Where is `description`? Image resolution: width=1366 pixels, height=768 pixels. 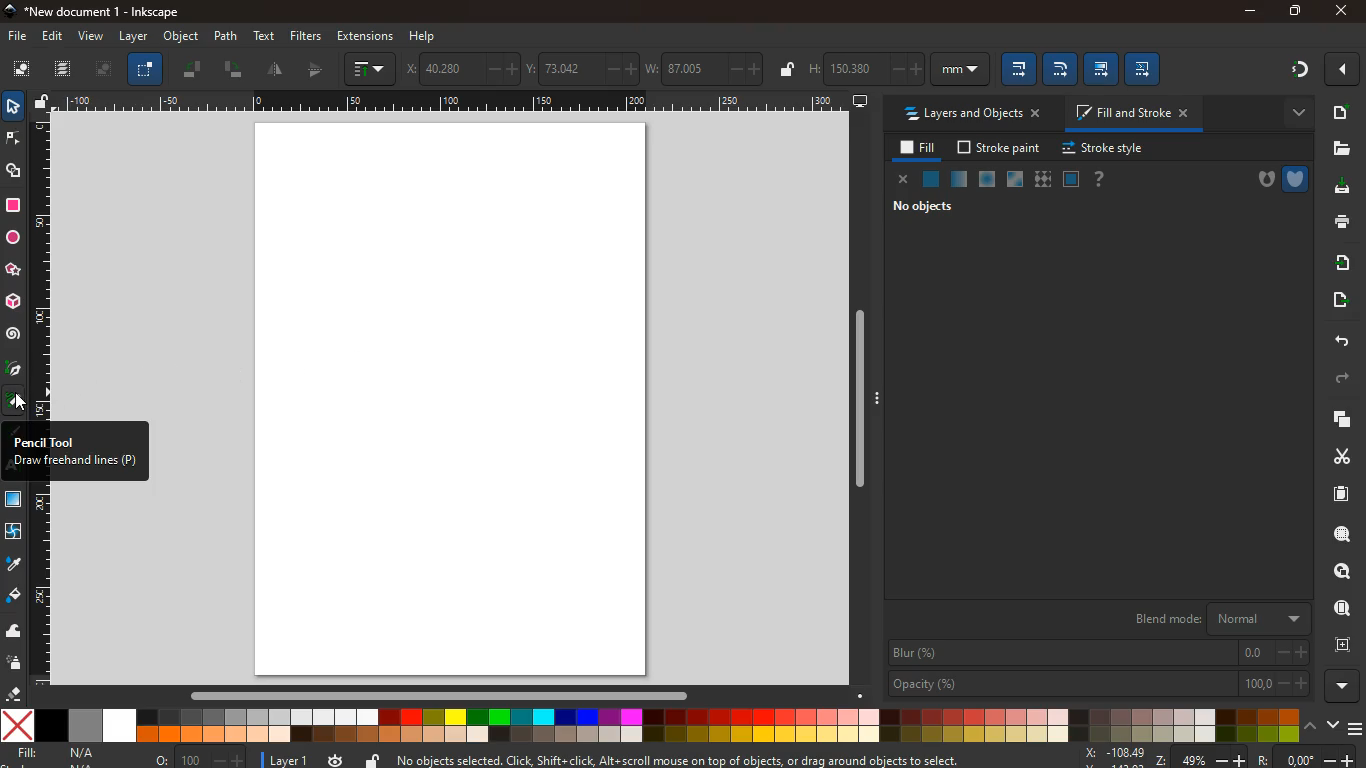 description is located at coordinates (680, 758).